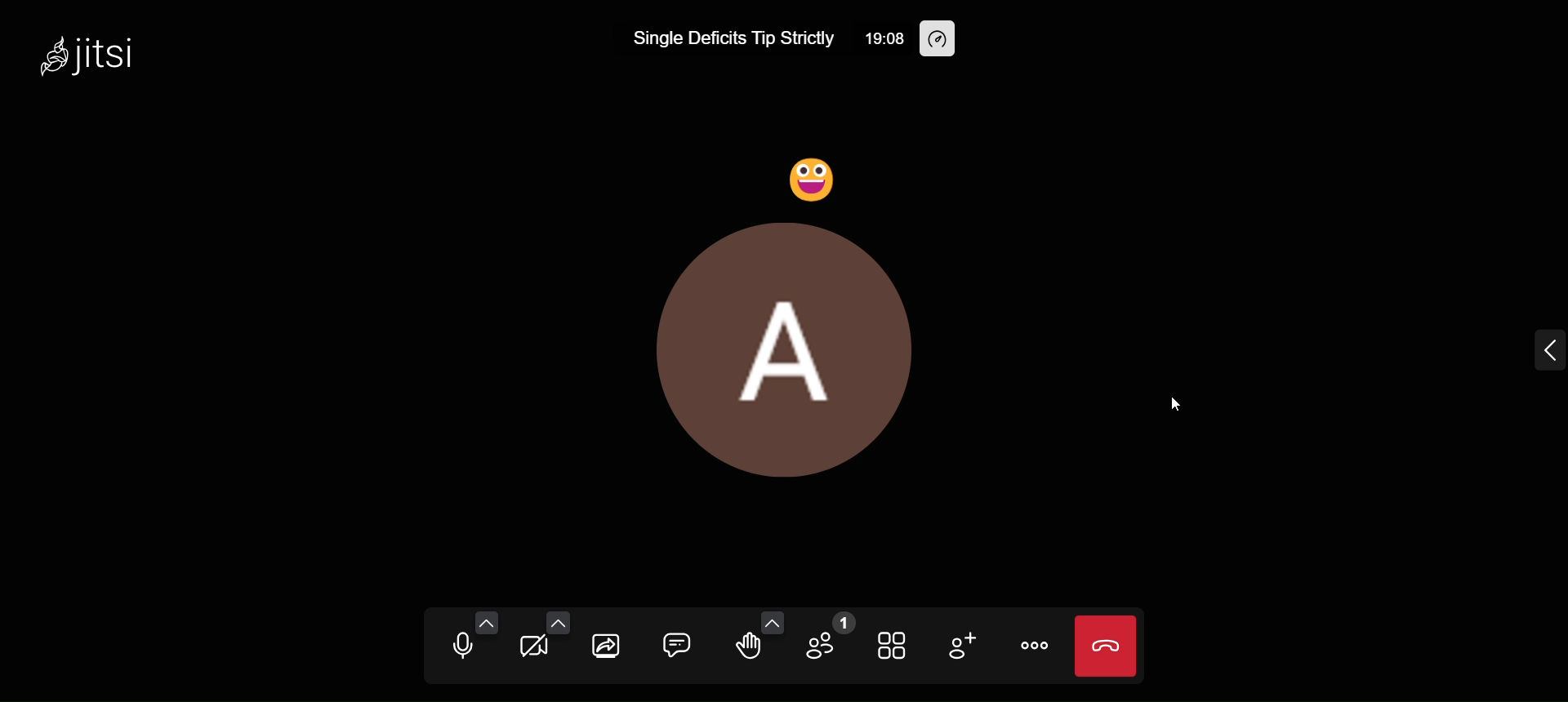 This screenshot has height=702, width=1568. I want to click on more actions, so click(1035, 646).